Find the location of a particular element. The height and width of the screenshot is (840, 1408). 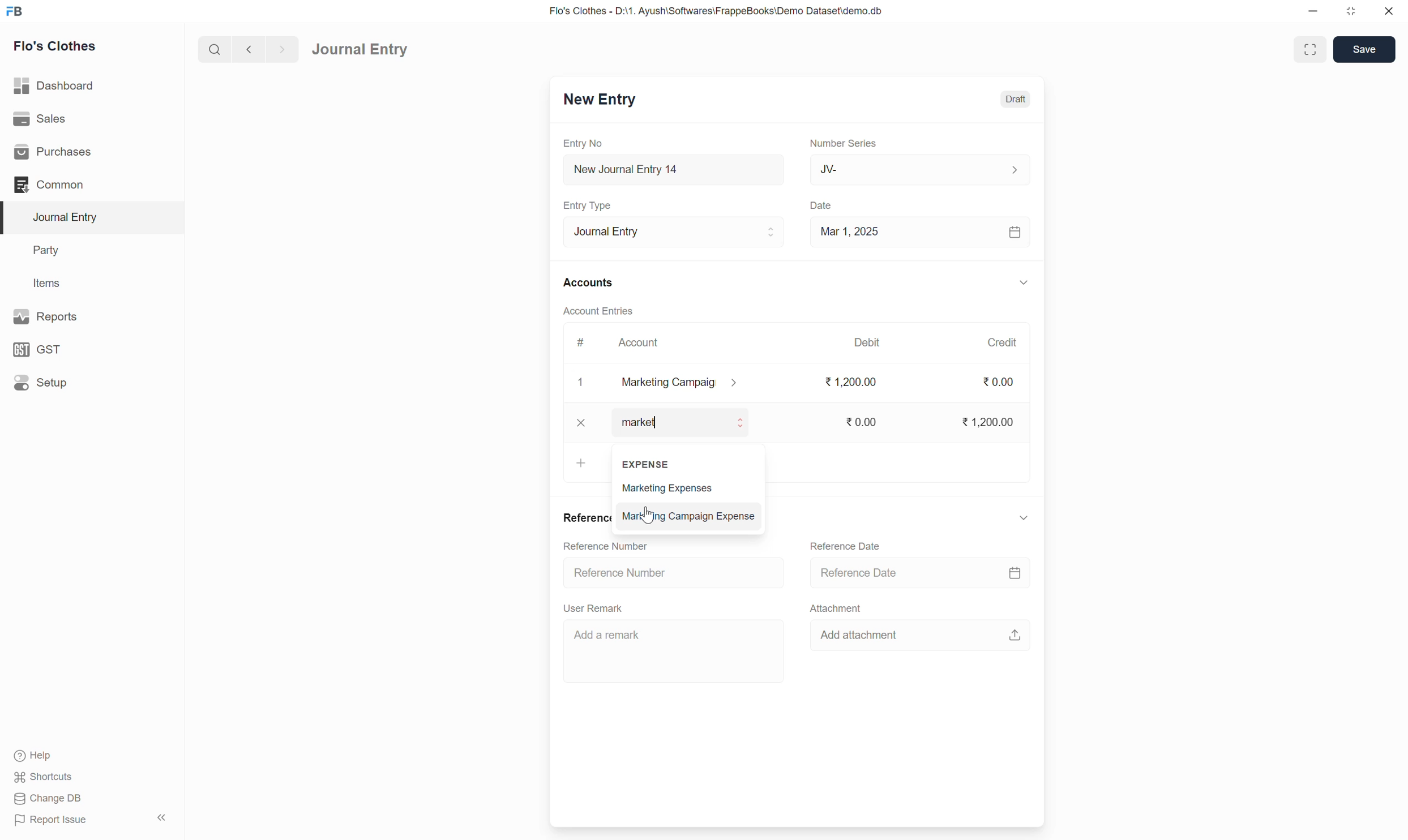

calendar is located at coordinates (1016, 233).